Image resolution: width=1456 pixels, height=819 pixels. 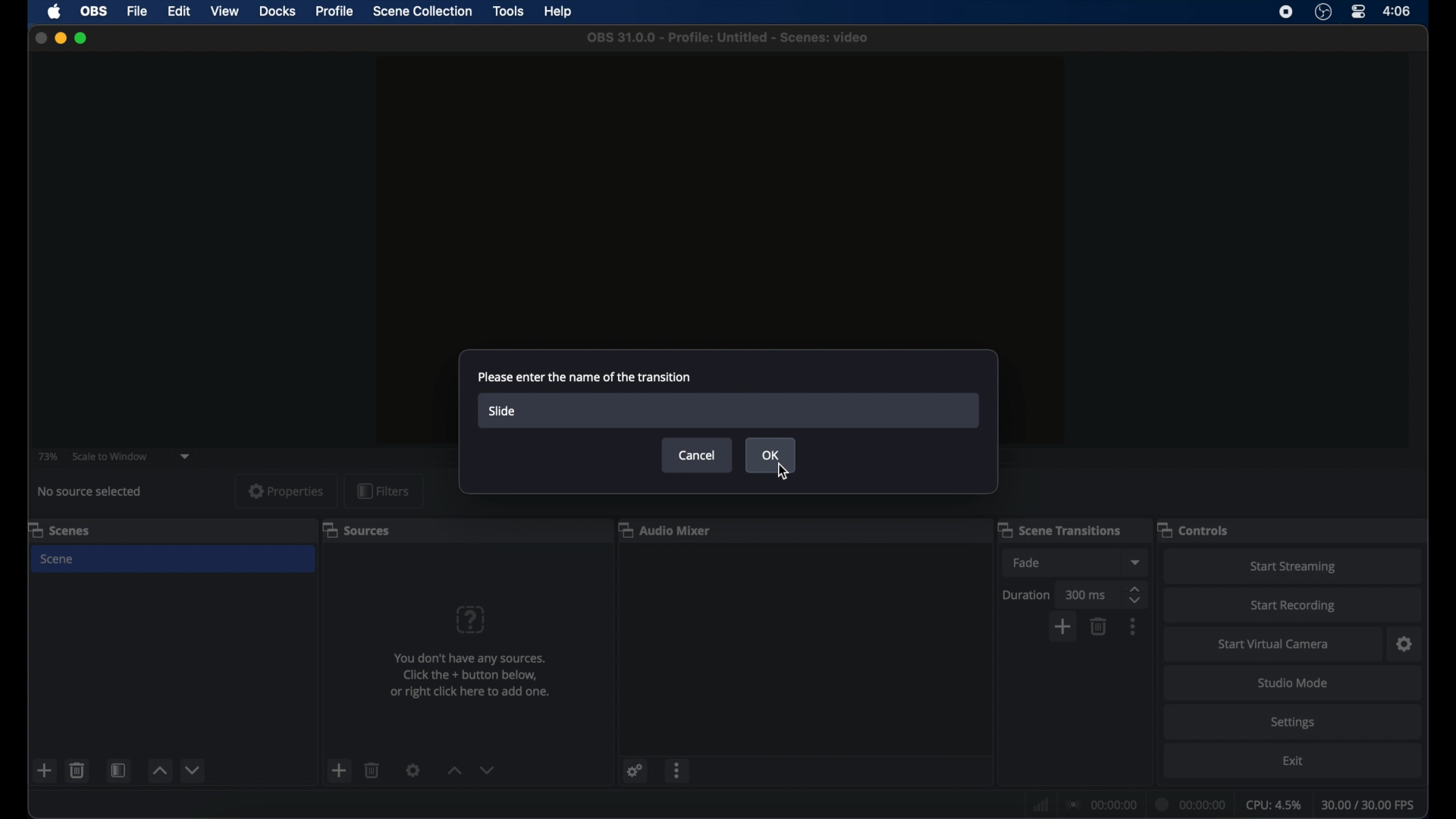 What do you see at coordinates (508, 10) in the screenshot?
I see `tools` at bounding box center [508, 10].